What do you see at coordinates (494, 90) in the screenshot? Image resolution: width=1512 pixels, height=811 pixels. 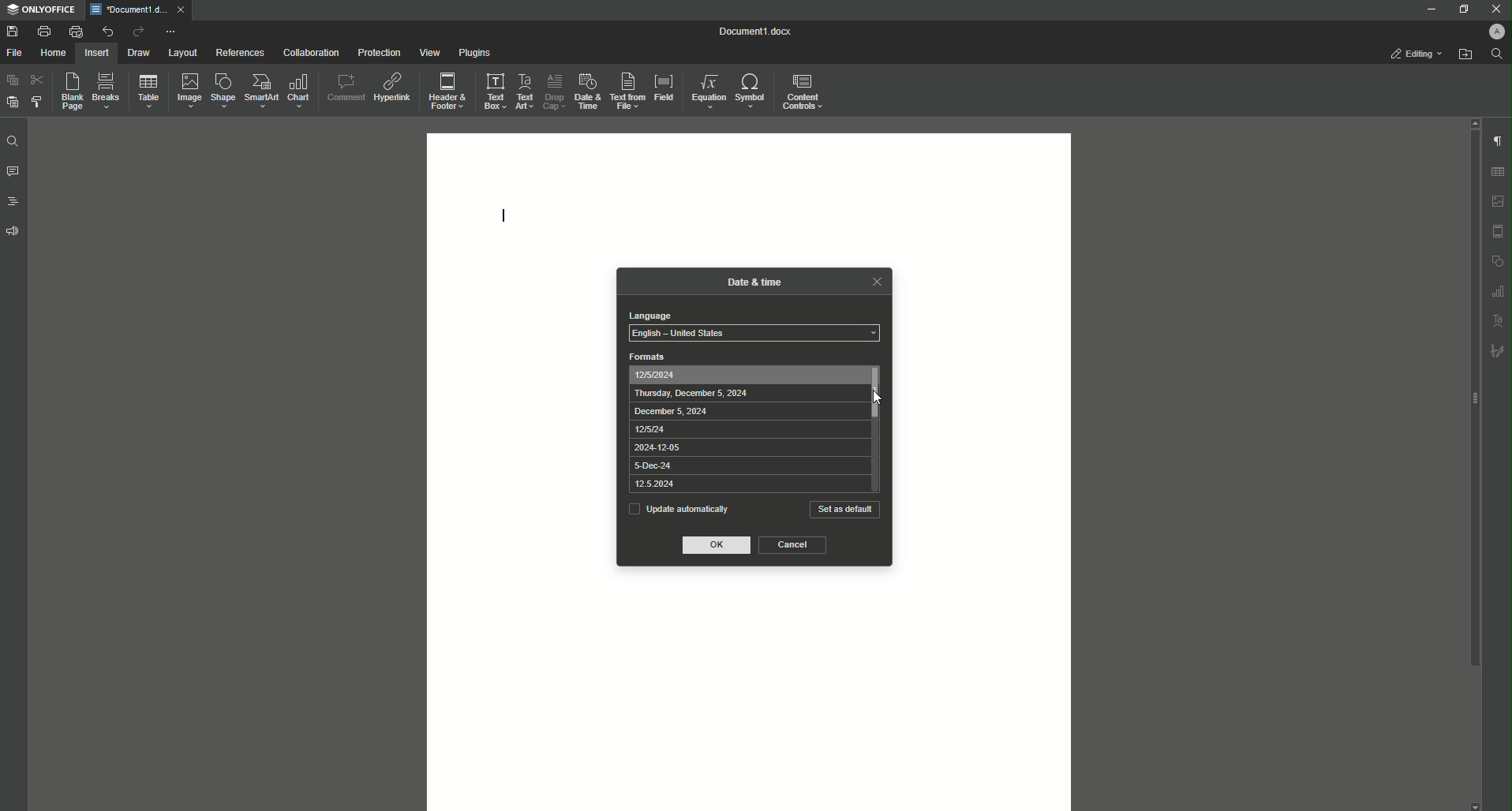 I see `Text Box` at bounding box center [494, 90].